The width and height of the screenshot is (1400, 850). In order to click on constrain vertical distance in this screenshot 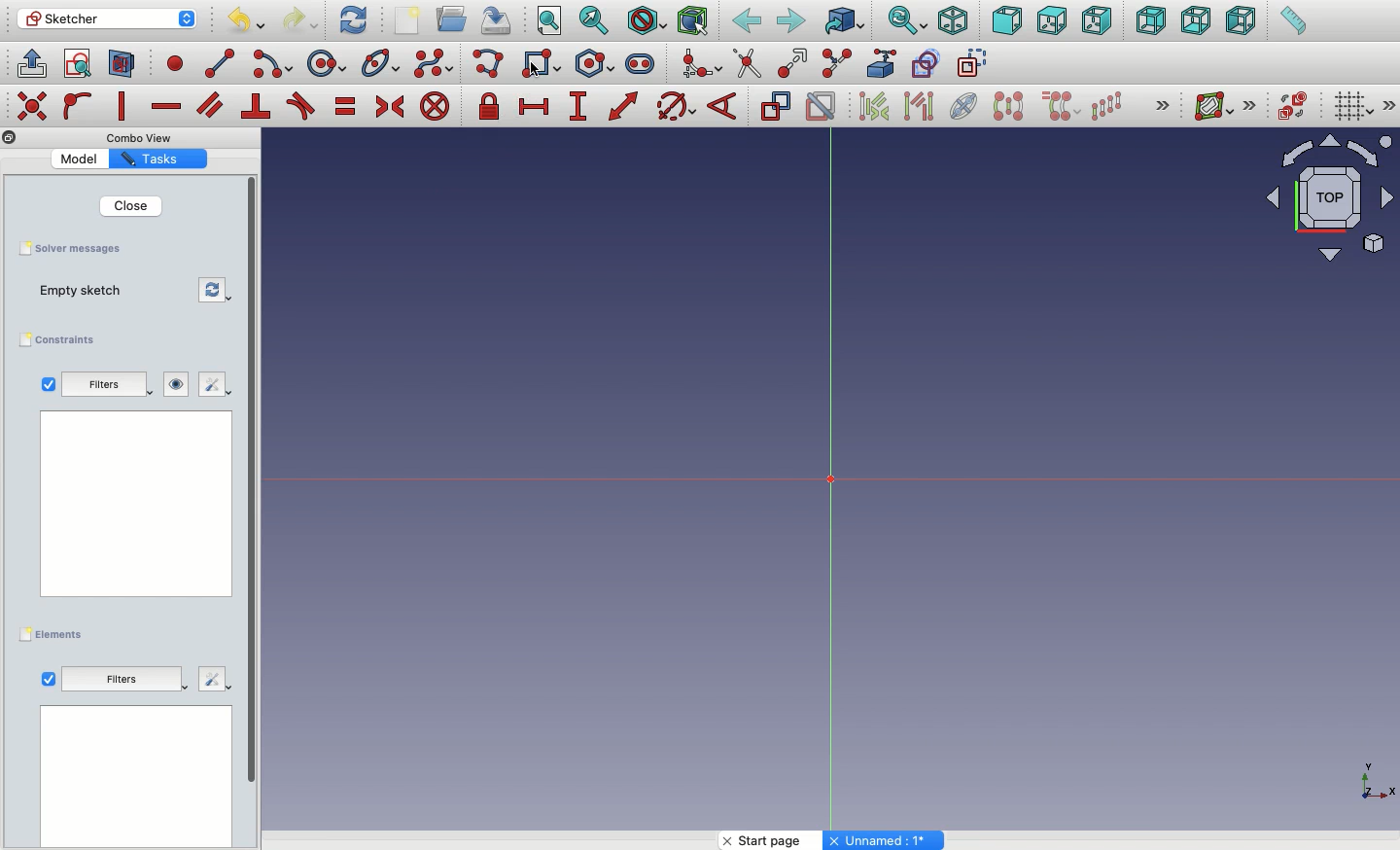, I will do `click(581, 108)`.